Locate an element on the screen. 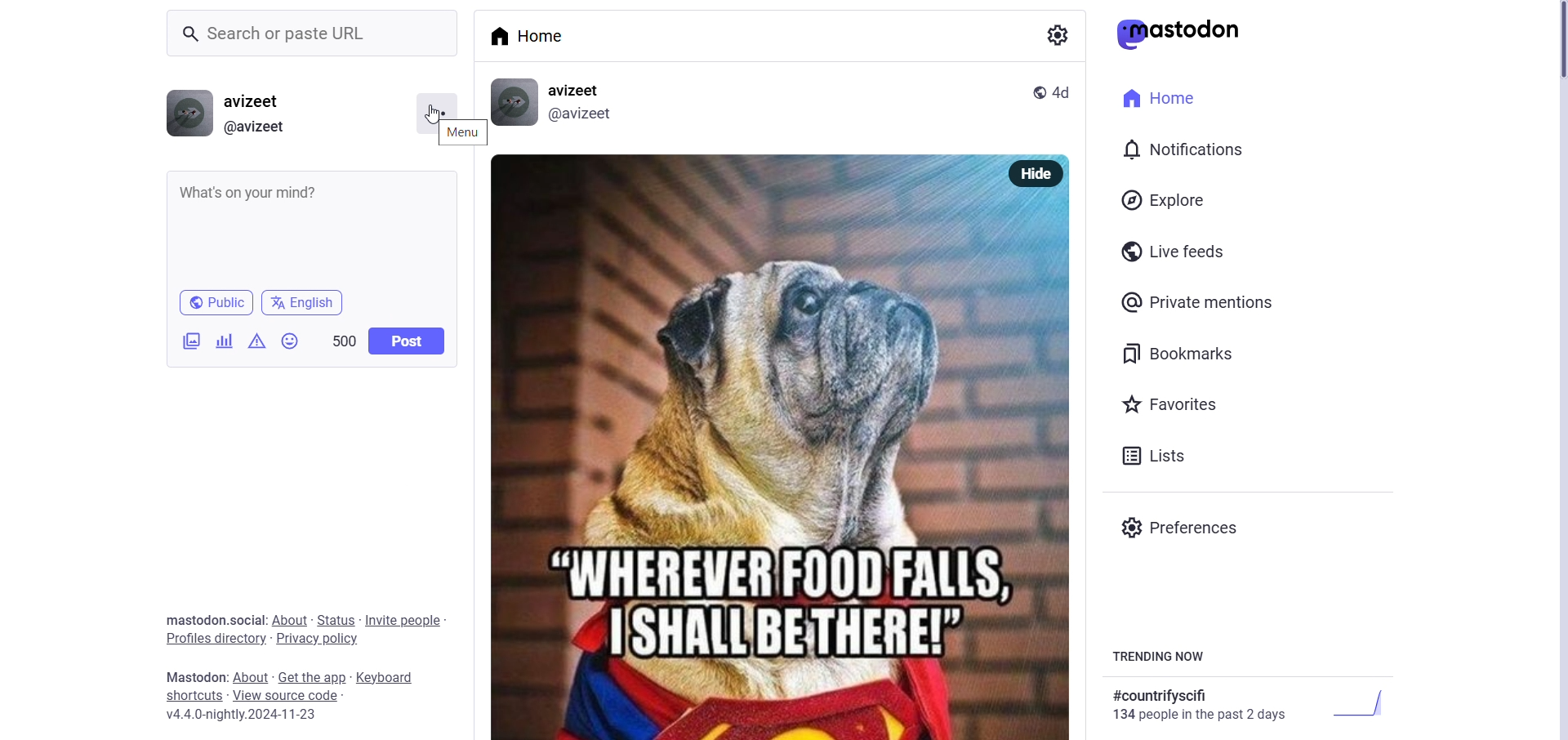  about is located at coordinates (286, 617).